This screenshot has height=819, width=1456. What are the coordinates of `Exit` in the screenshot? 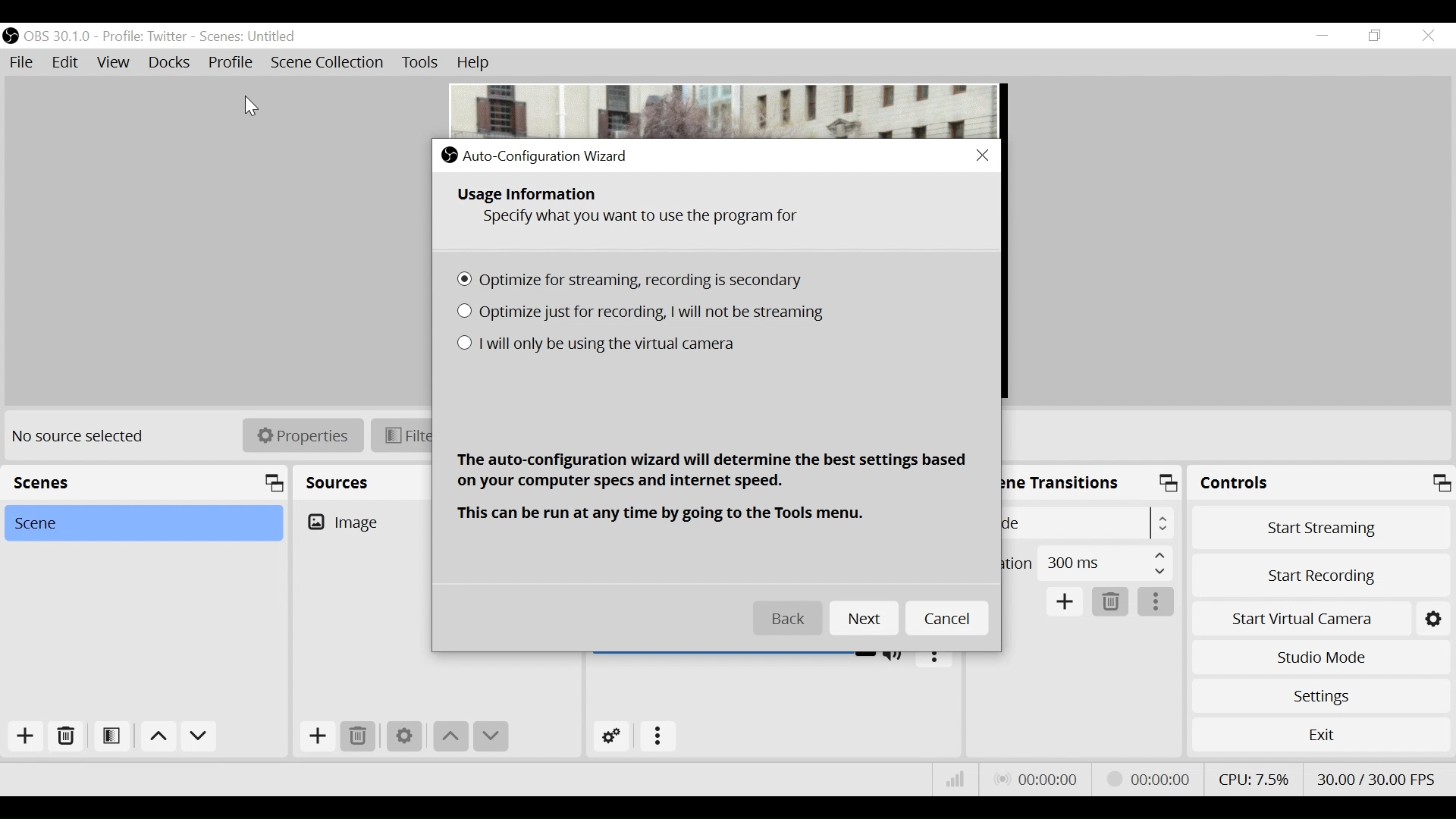 It's located at (1319, 734).